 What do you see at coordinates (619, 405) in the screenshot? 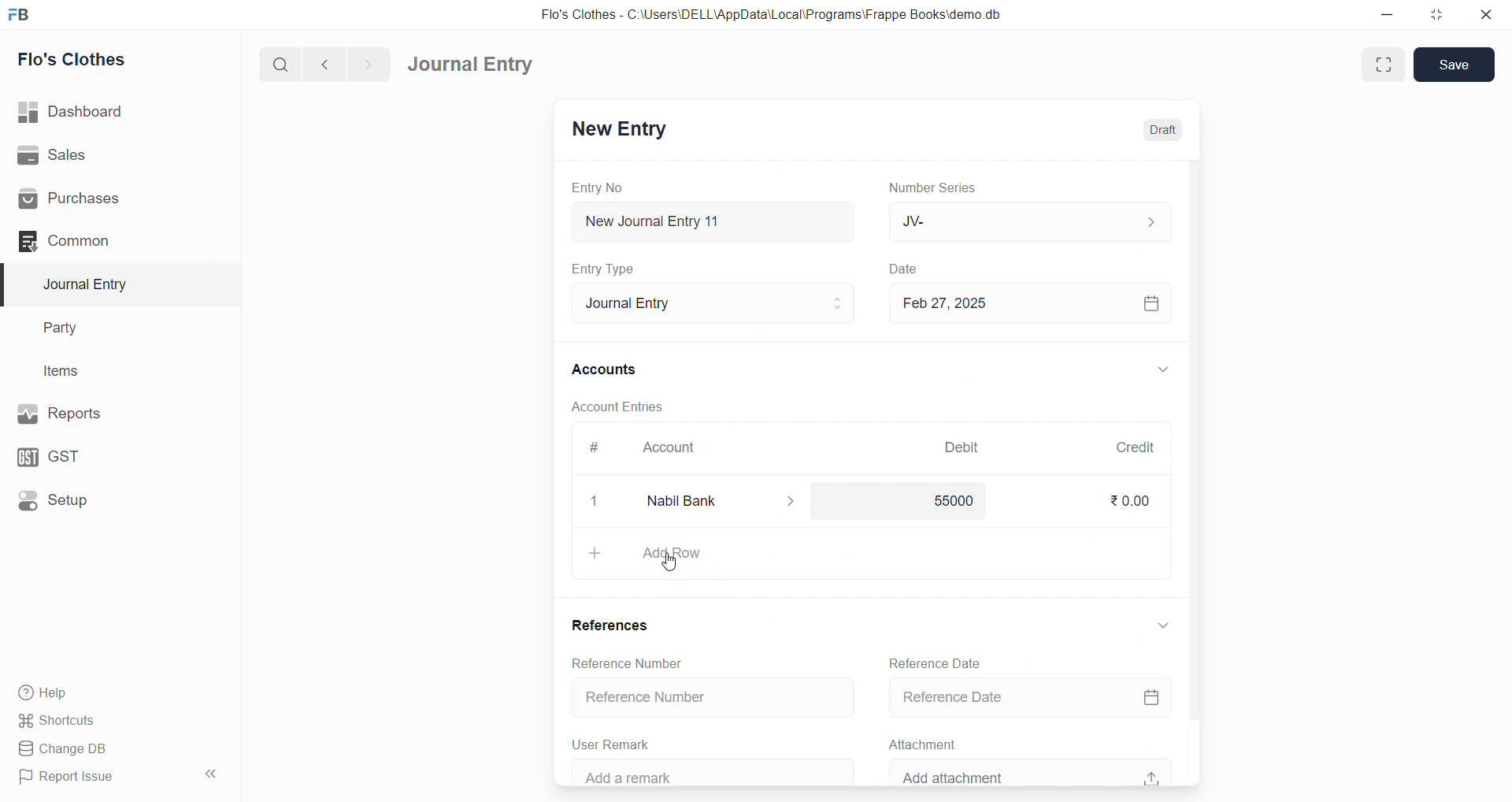
I see `Account Entries` at bounding box center [619, 405].